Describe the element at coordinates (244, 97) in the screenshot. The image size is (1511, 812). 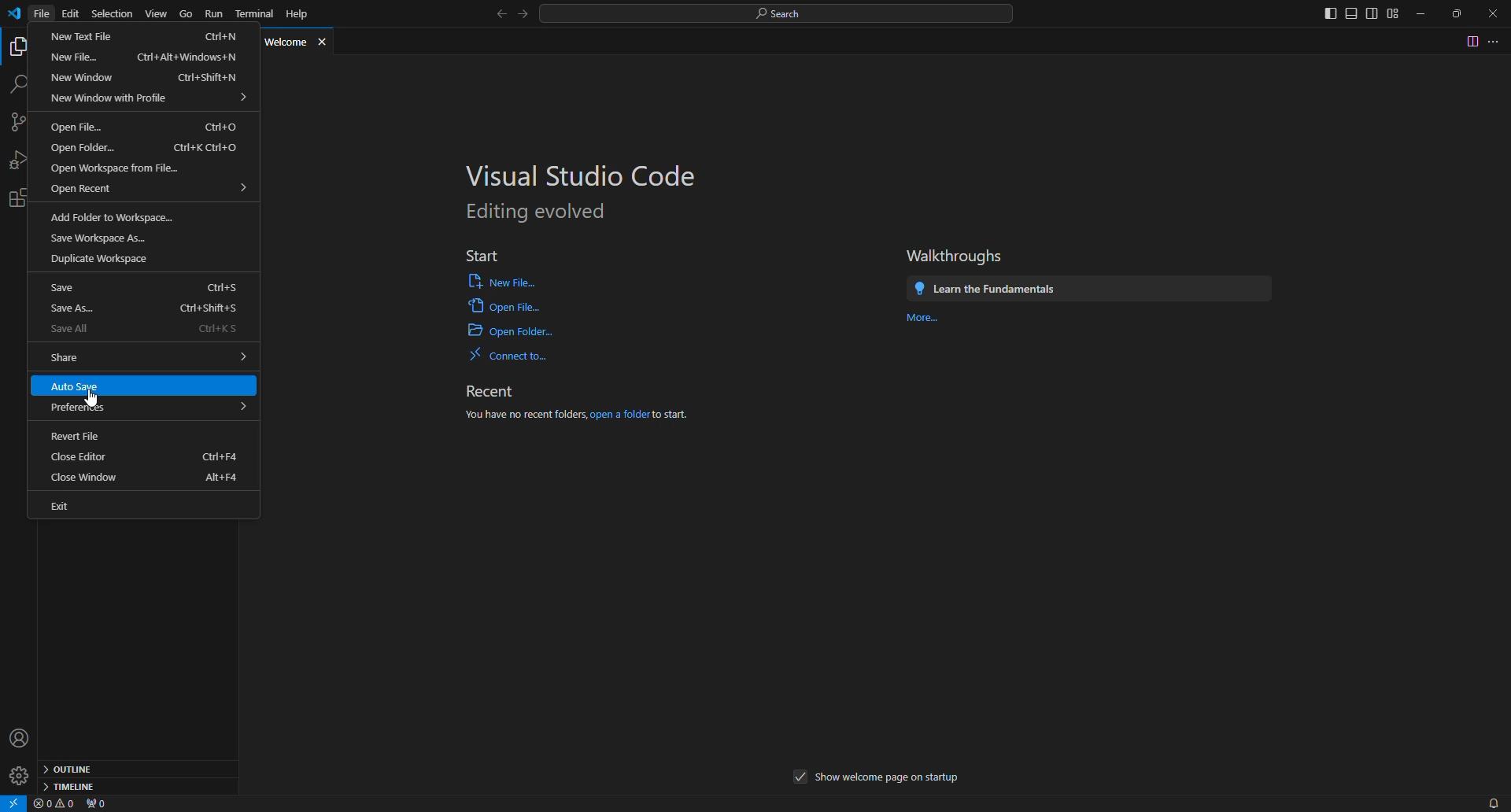
I see `expand` at that location.